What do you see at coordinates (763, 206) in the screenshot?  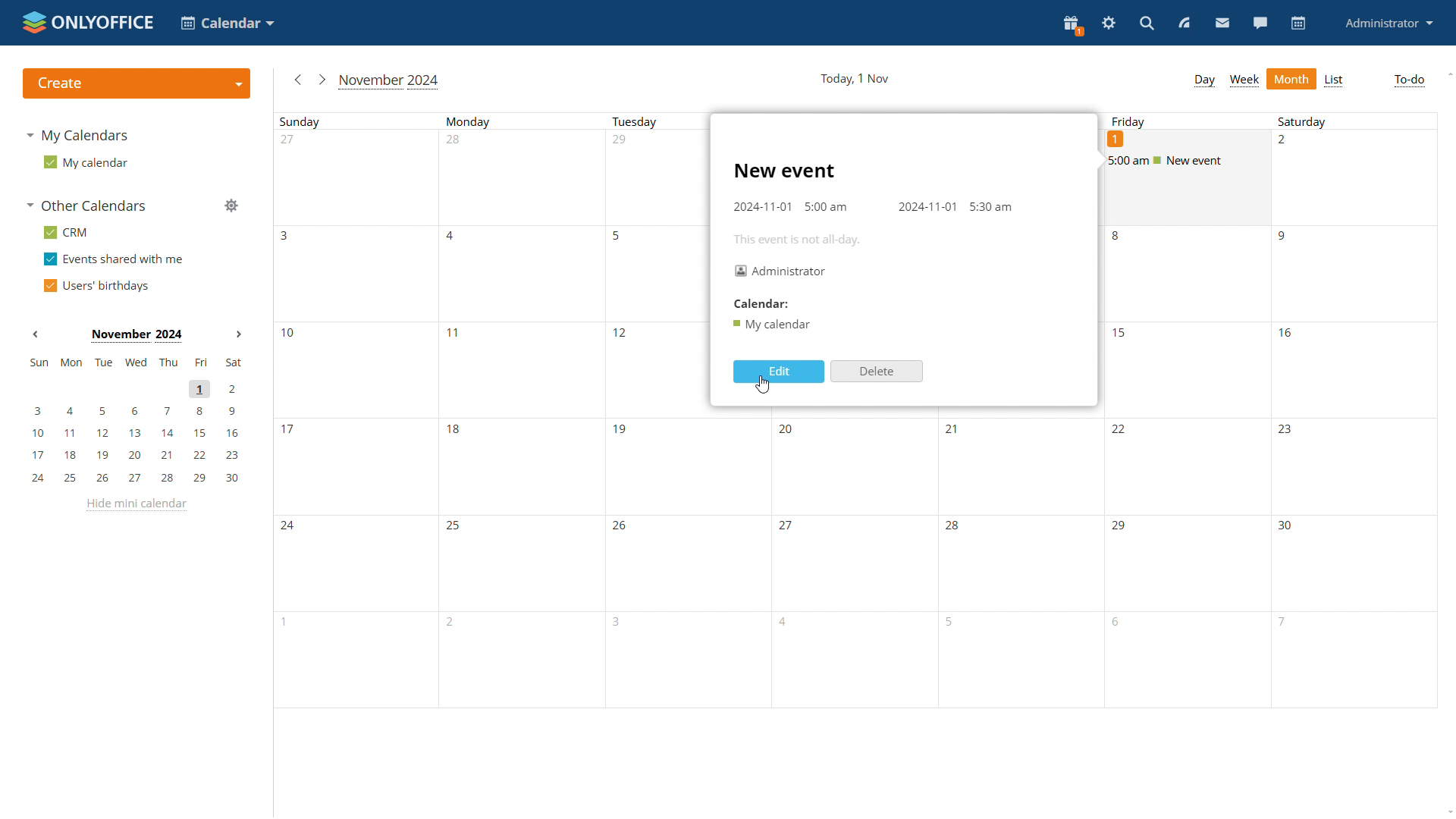 I see `event start date` at bounding box center [763, 206].